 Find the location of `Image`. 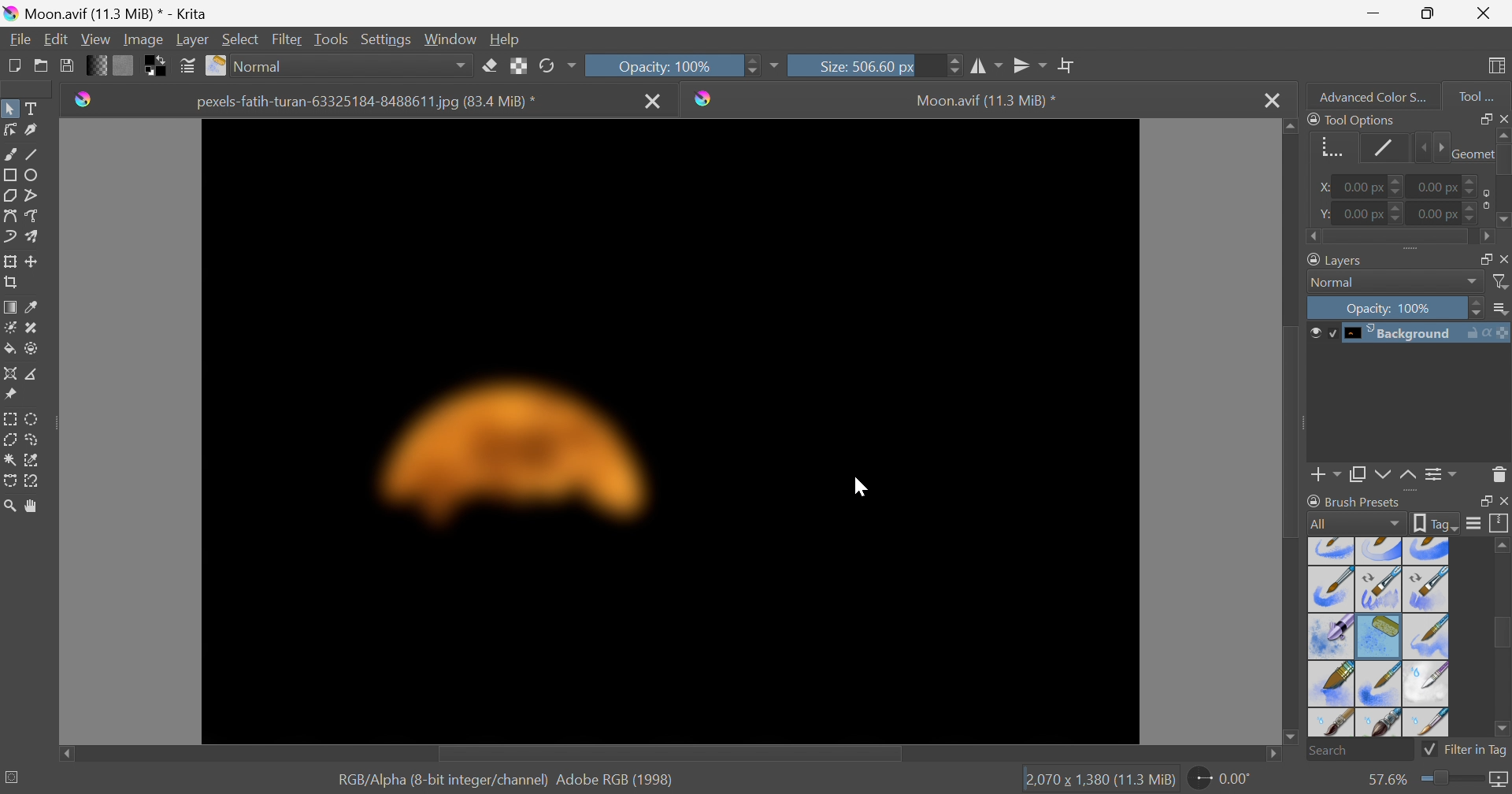

Image is located at coordinates (670, 432).